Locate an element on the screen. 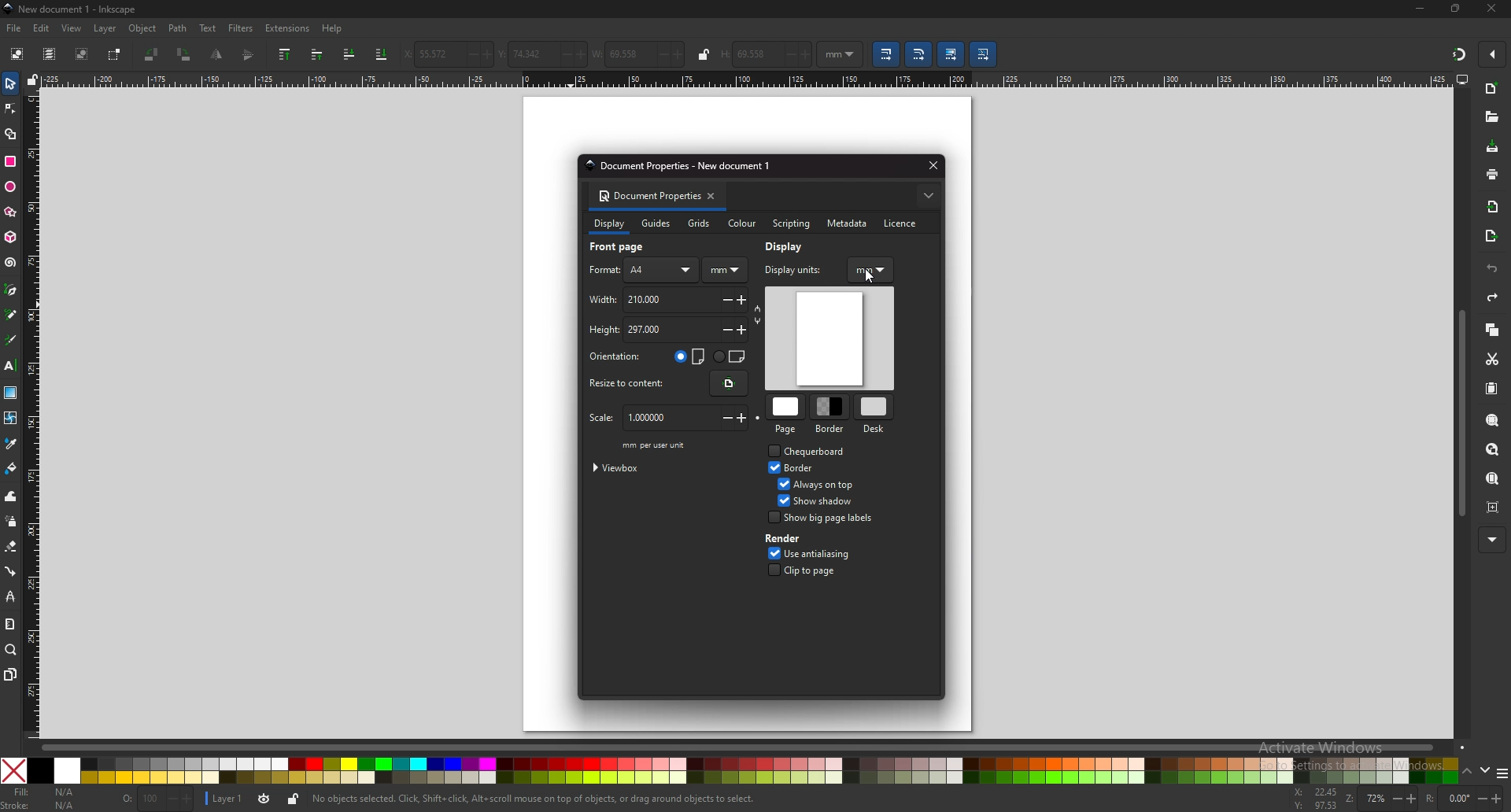 This screenshot has width=1511, height=812. render is located at coordinates (790, 539).